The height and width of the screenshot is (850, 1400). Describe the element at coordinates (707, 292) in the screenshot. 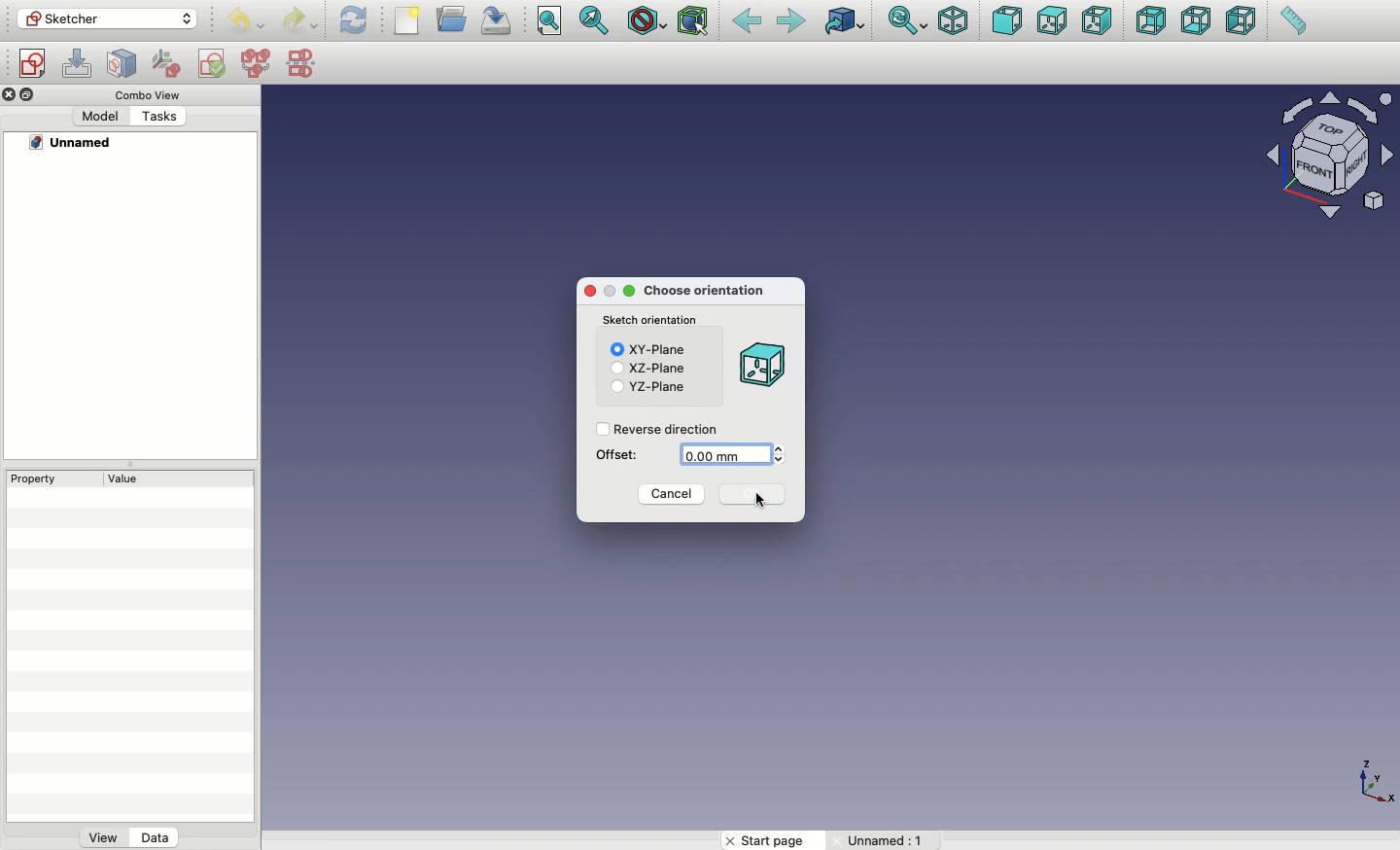

I see `Choose orientation ` at that location.